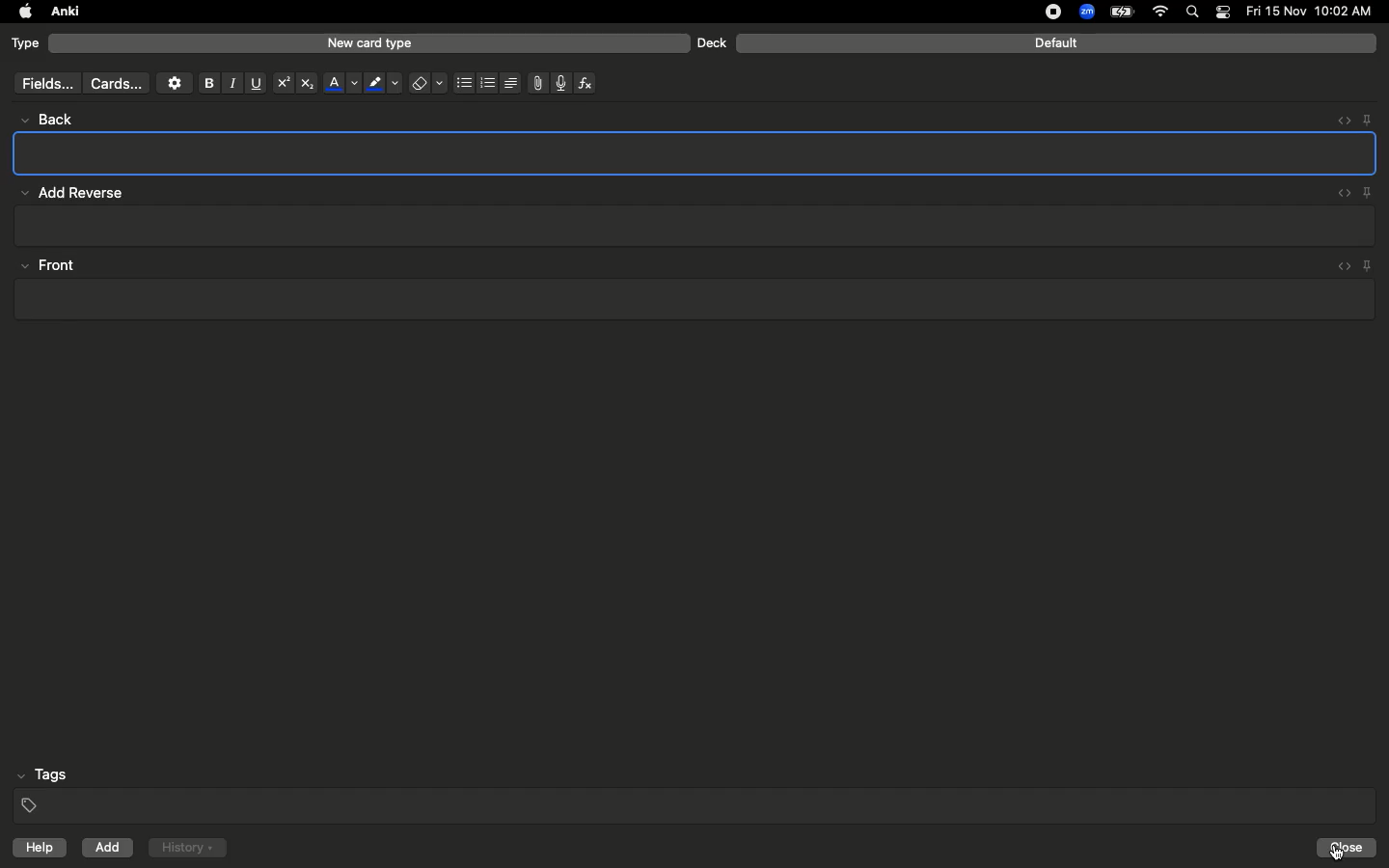 Image resolution: width=1389 pixels, height=868 pixels. What do you see at coordinates (282, 84) in the screenshot?
I see `Superscript` at bounding box center [282, 84].